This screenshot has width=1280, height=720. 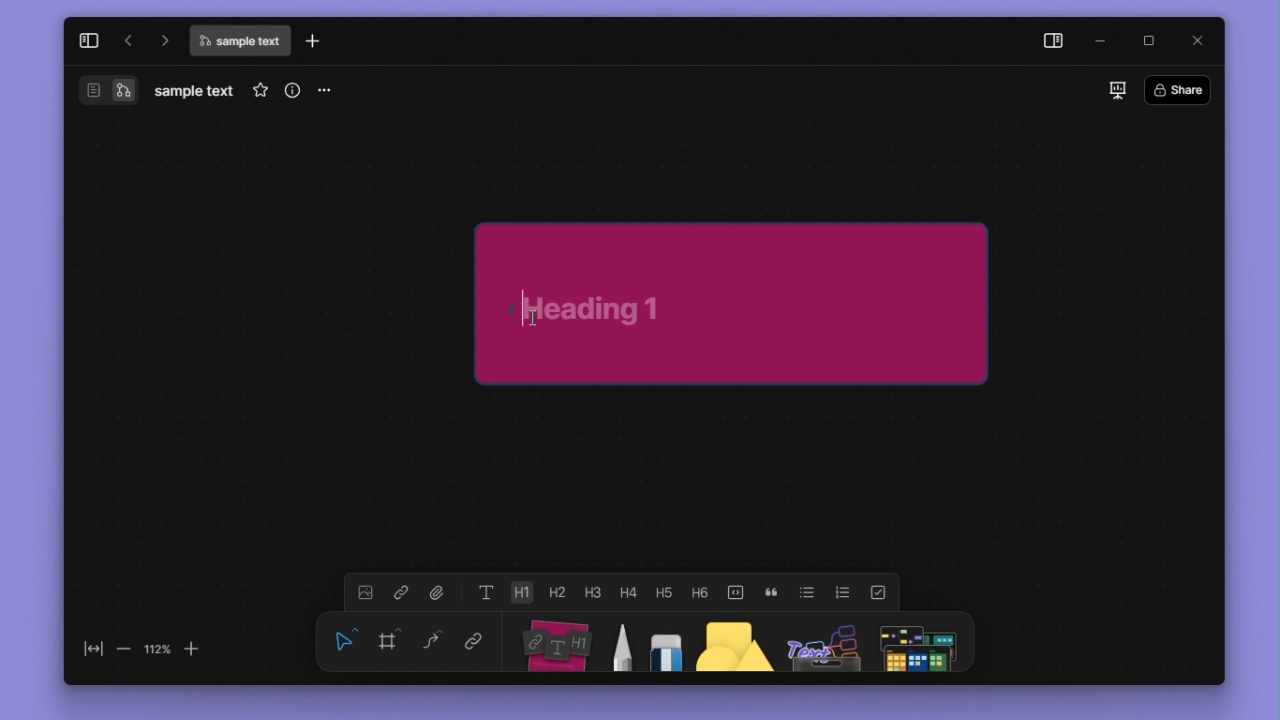 I want to click on switch, so click(x=94, y=90).